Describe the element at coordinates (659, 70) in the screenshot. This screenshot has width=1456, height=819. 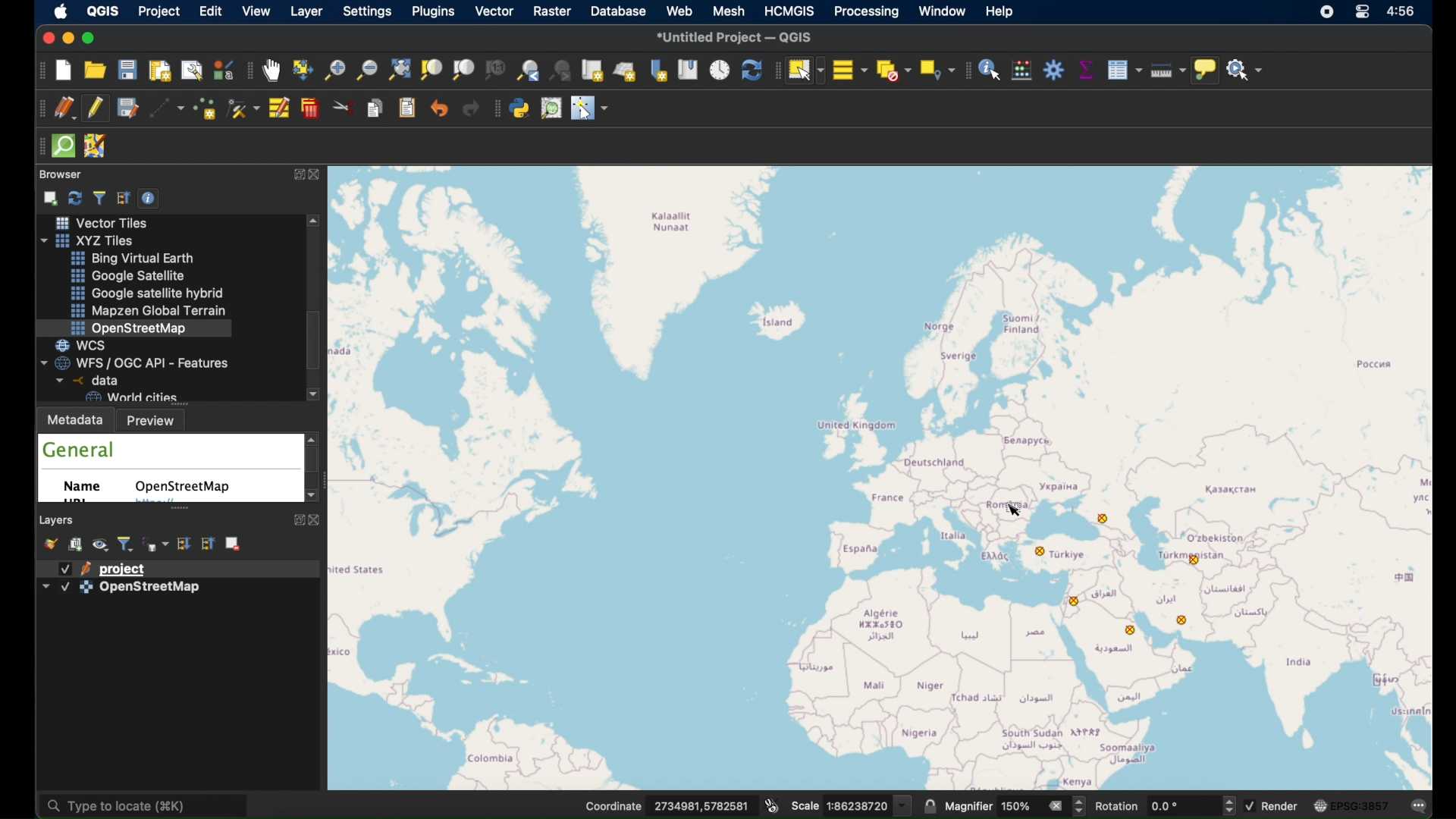
I see `new spatial bookmarks` at that location.